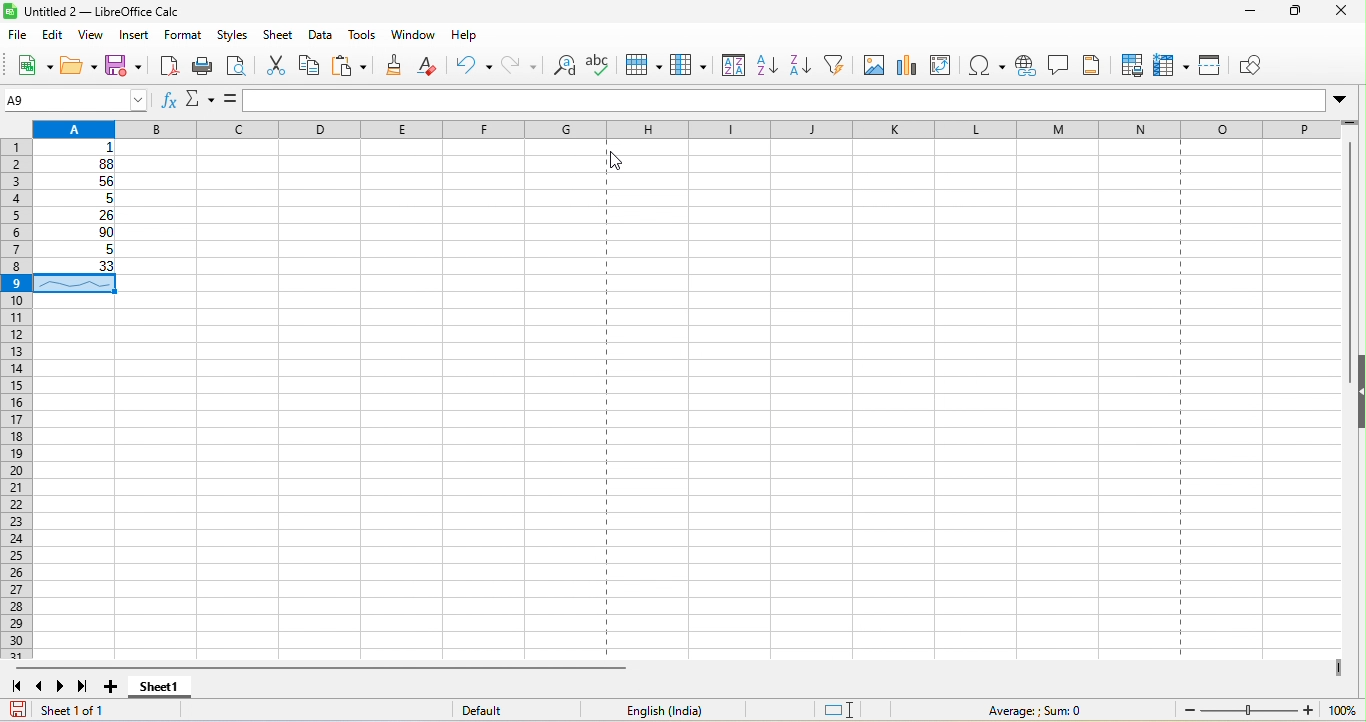  Describe the element at coordinates (1240, 14) in the screenshot. I see `minimize` at that location.